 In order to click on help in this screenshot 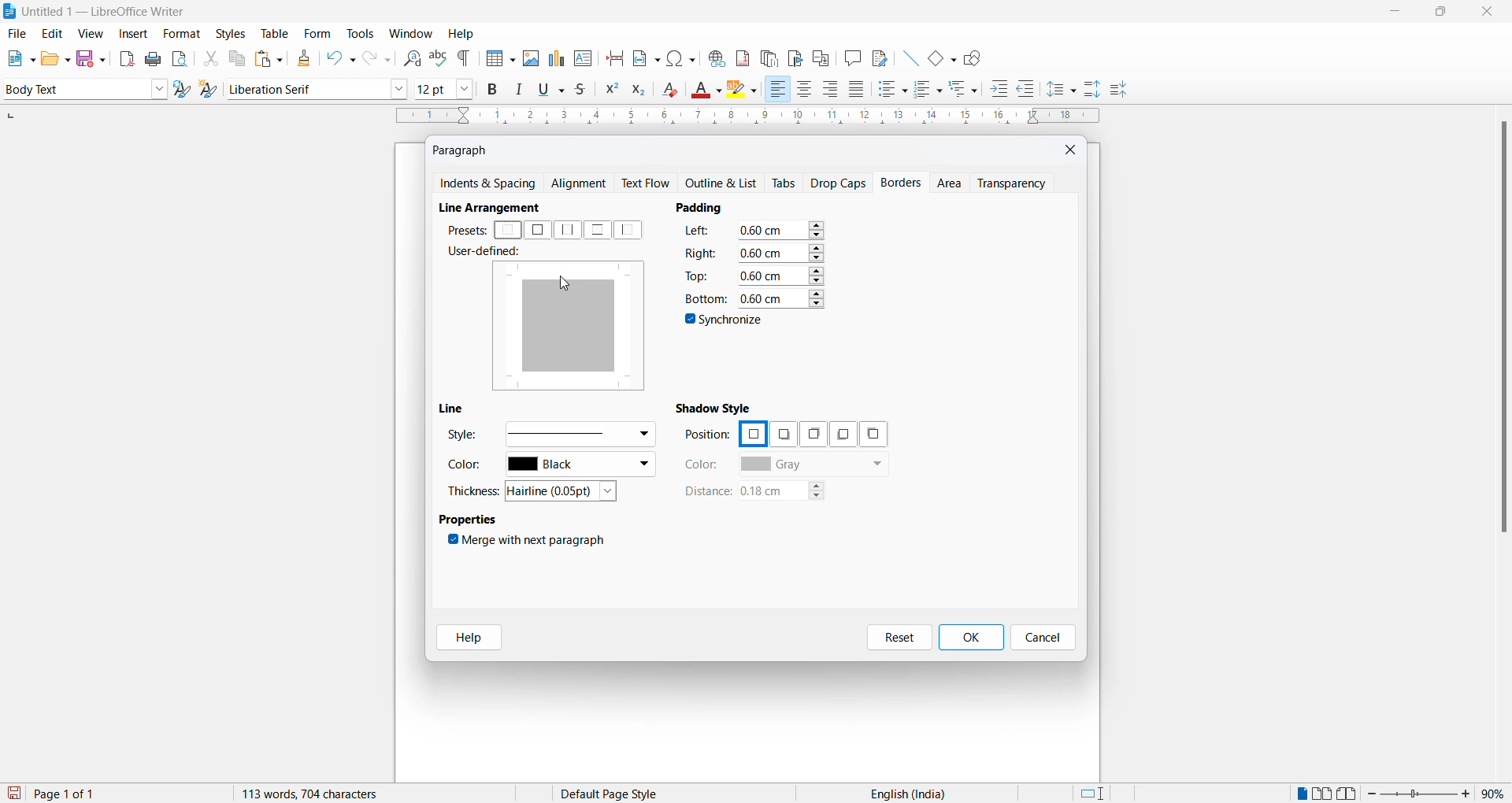, I will do `click(464, 638)`.